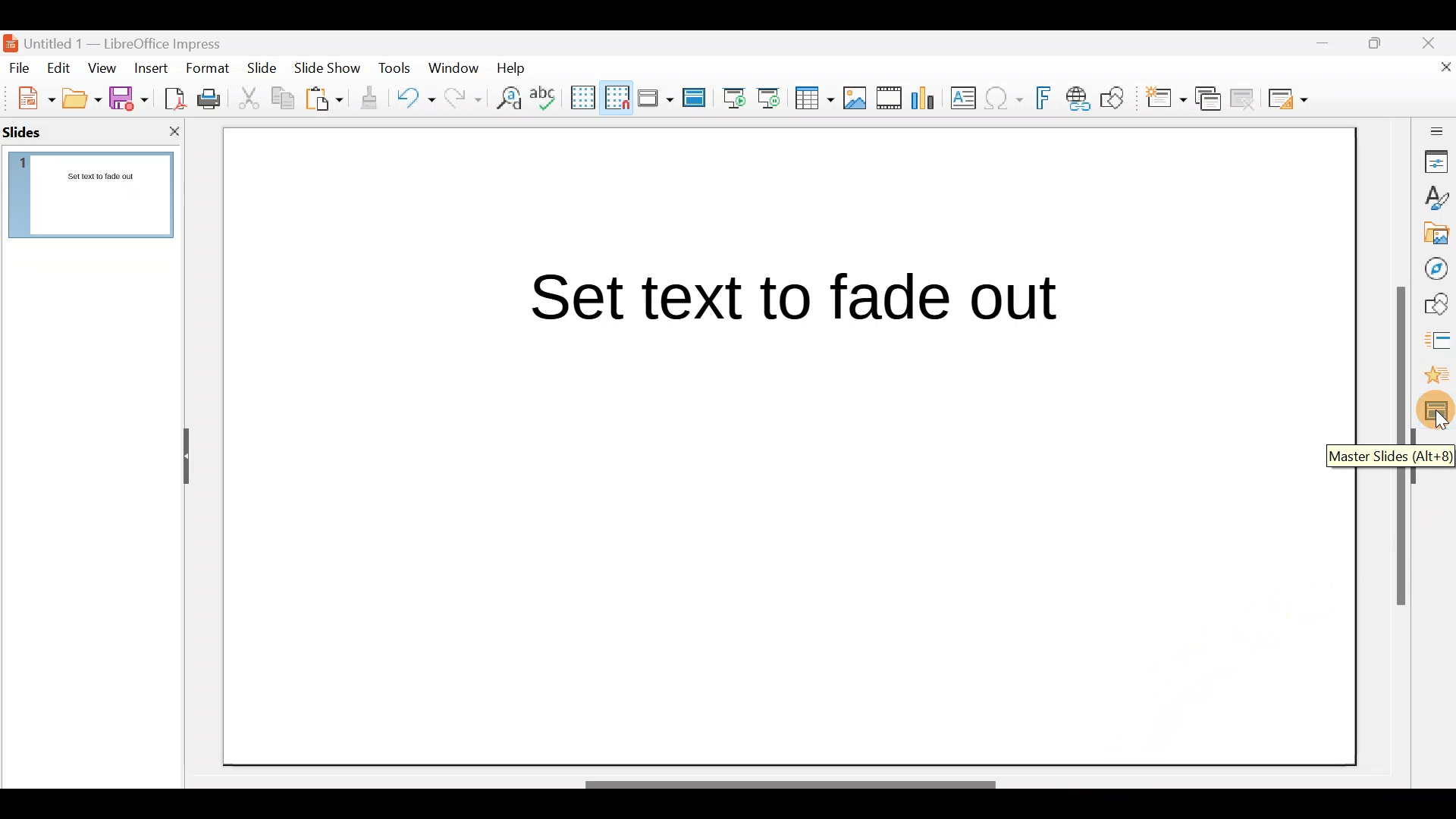  Describe the element at coordinates (1436, 380) in the screenshot. I see `Animation` at that location.